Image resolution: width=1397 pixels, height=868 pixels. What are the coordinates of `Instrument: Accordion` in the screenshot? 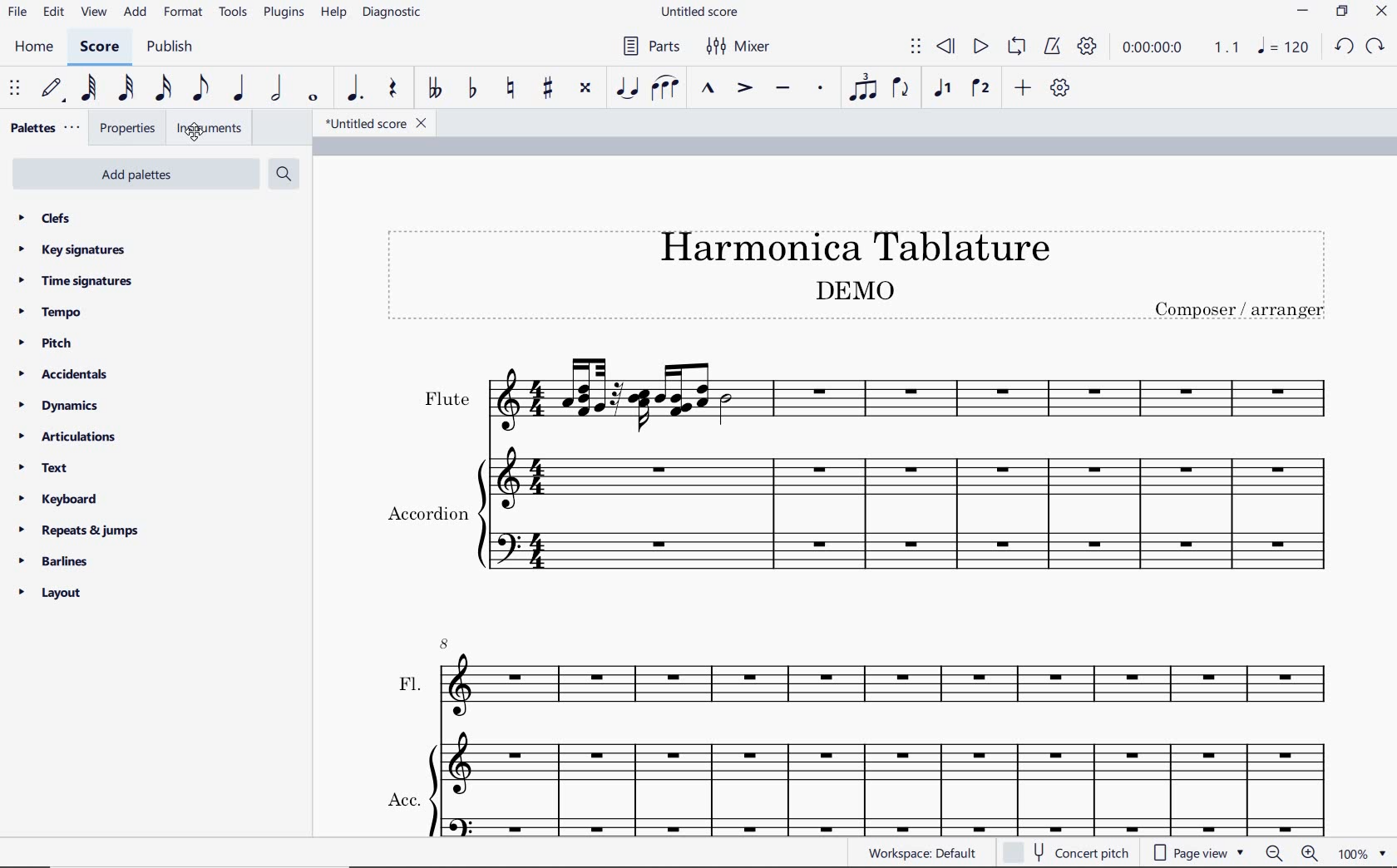 It's located at (862, 514).